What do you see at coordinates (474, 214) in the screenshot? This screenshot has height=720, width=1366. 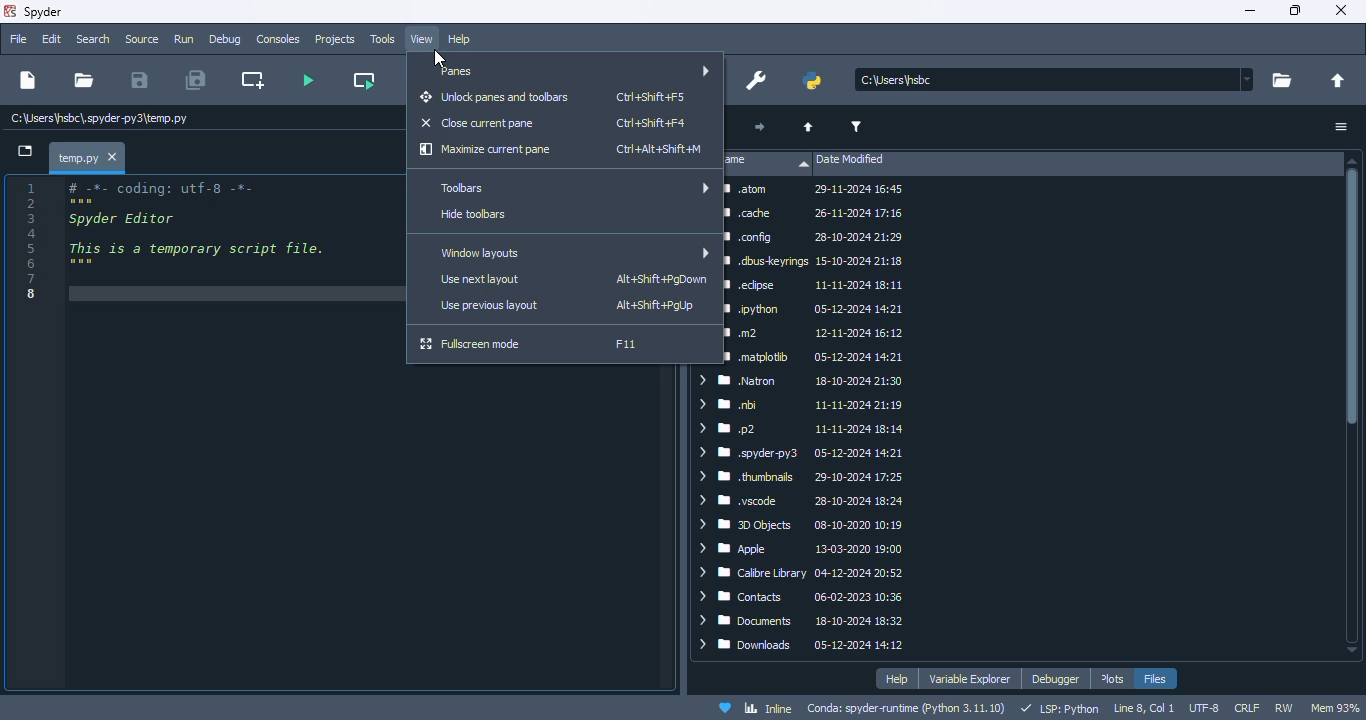 I see `hide toolbars` at bounding box center [474, 214].